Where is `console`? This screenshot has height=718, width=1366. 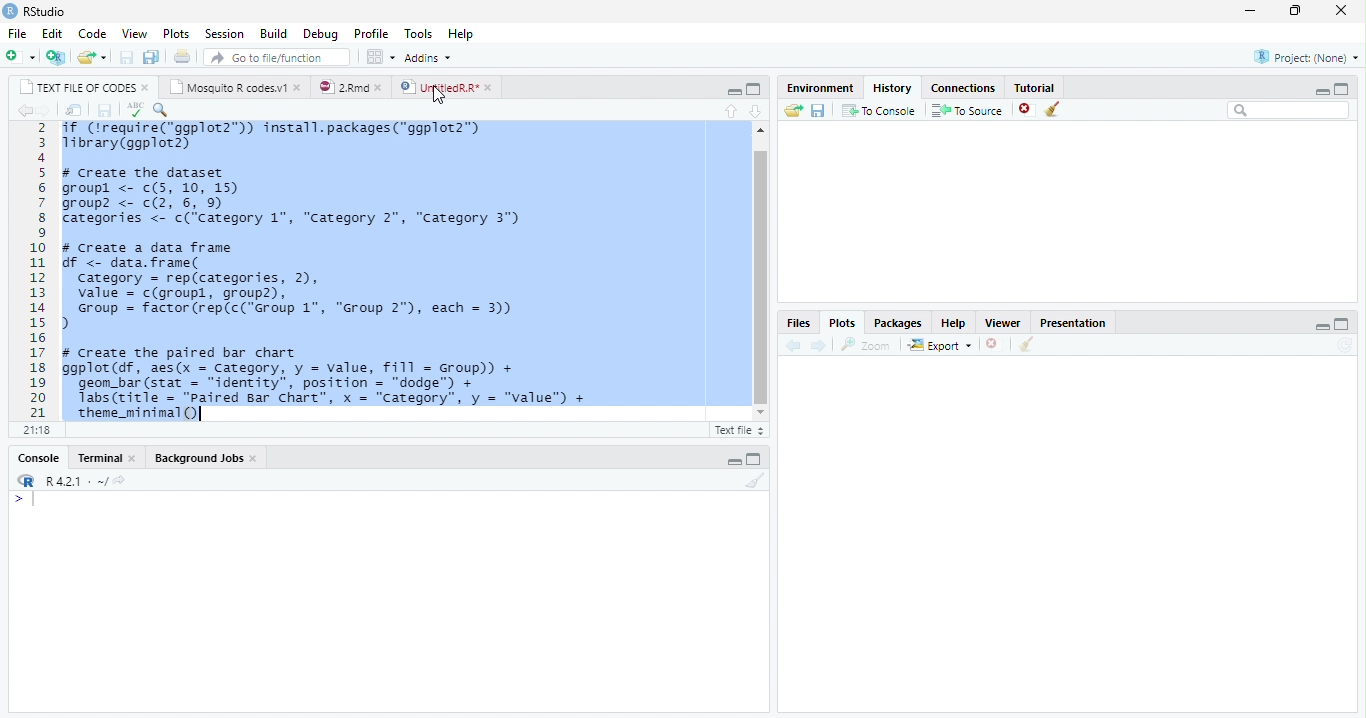
console is located at coordinates (38, 458).